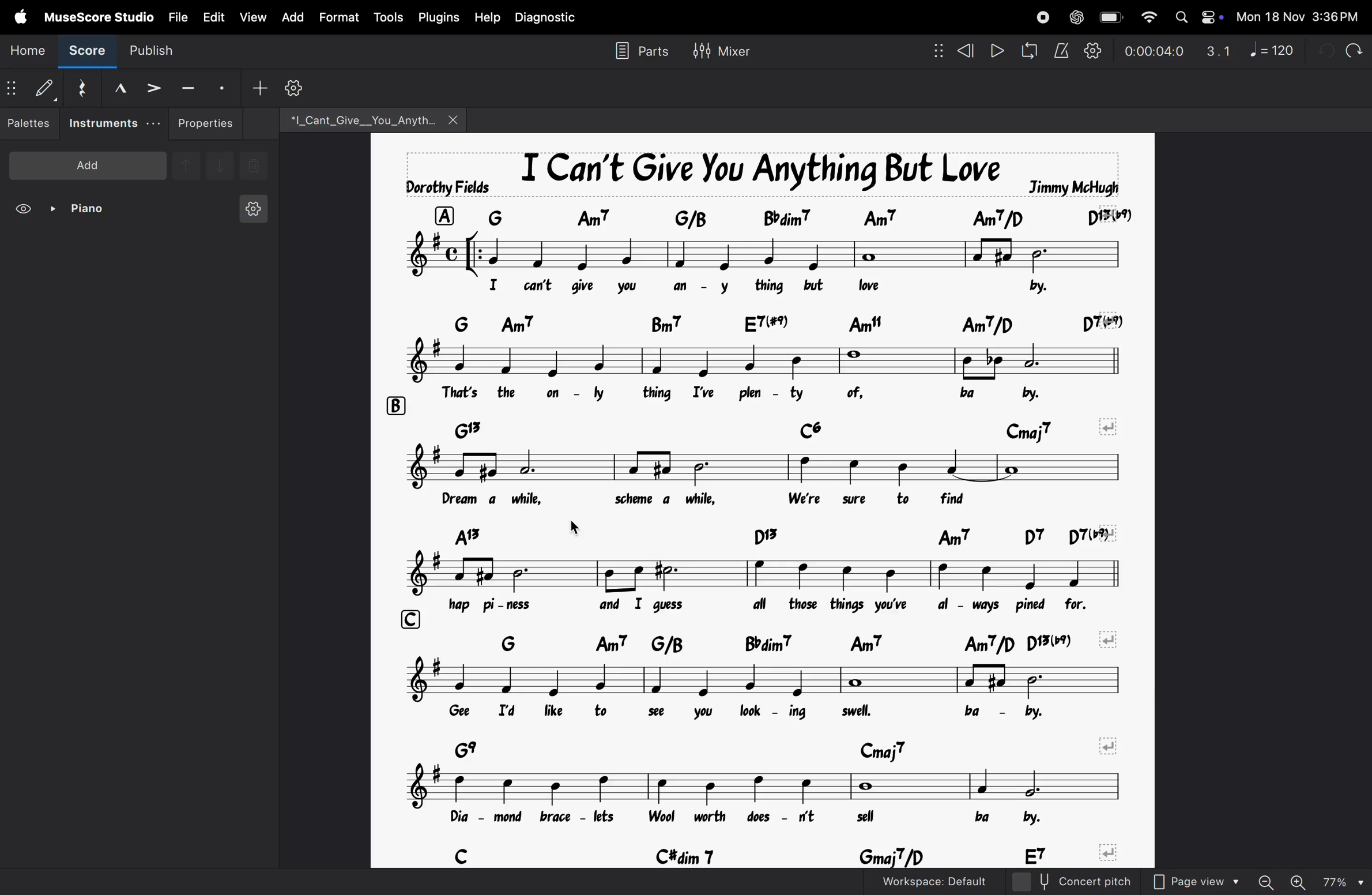 The width and height of the screenshot is (1372, 895). Describe the element at coordinates (796, 606) in the screenshot. I see `lyrics` at that location.